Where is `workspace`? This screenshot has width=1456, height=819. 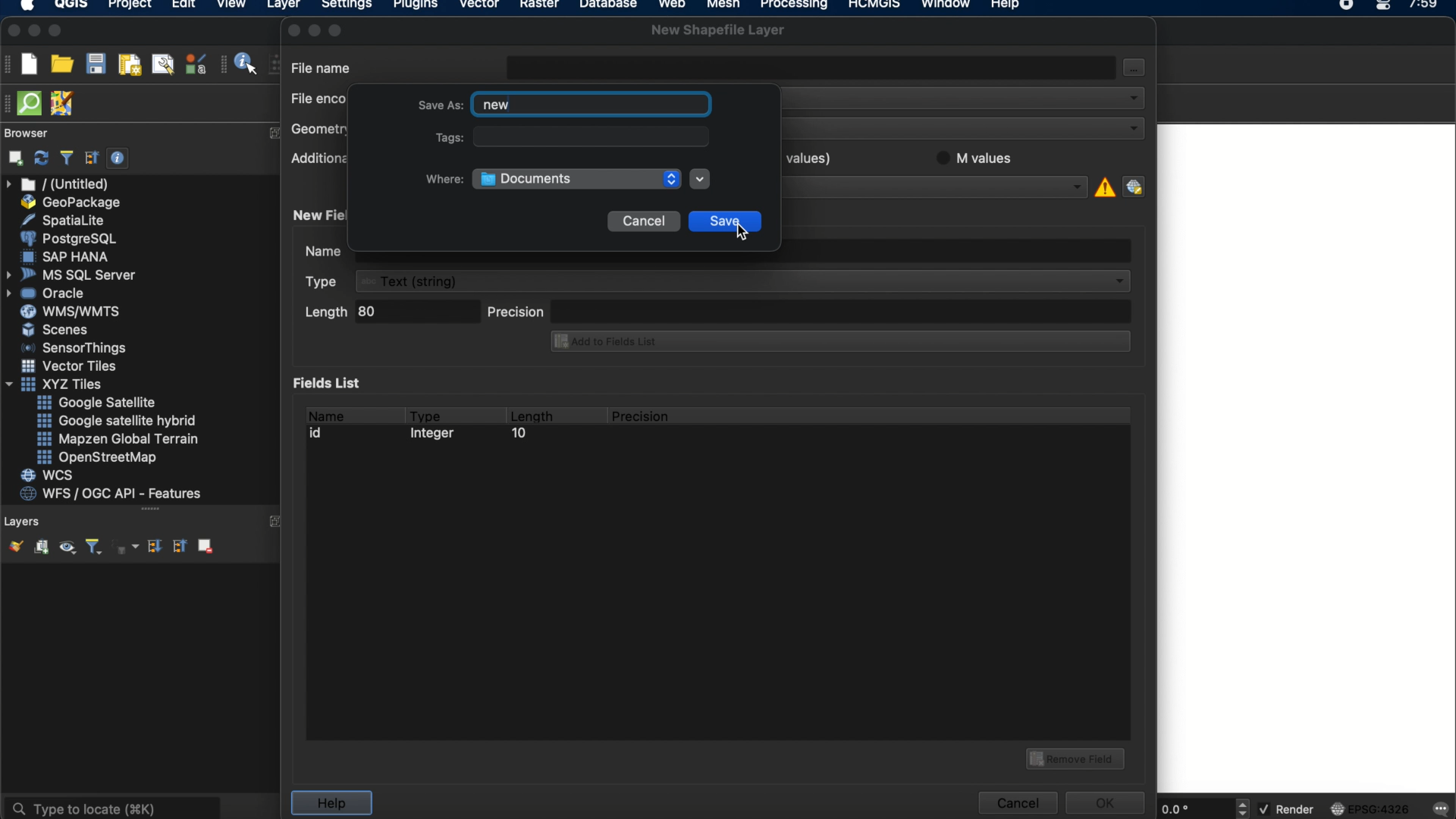 workspace is located at coordinates (1305, 460).